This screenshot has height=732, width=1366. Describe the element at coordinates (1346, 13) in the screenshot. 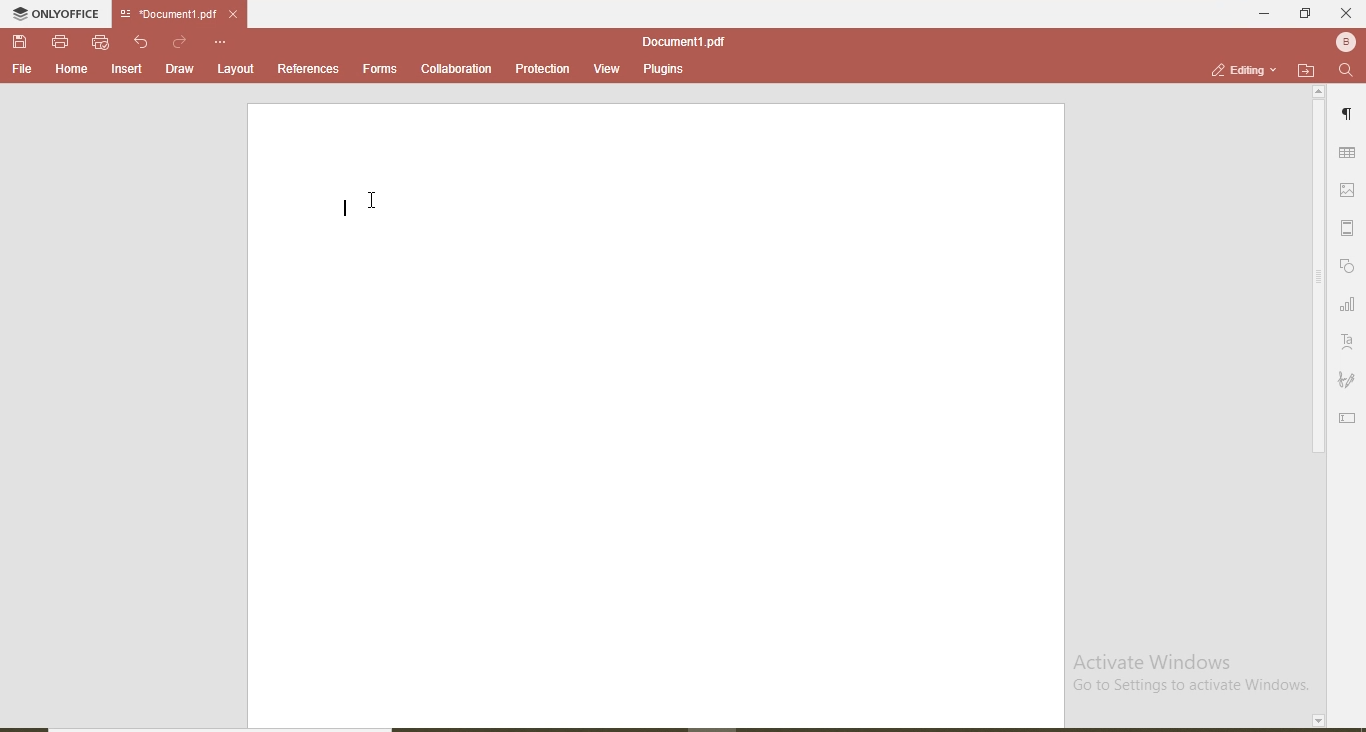

I see `close` at that location.